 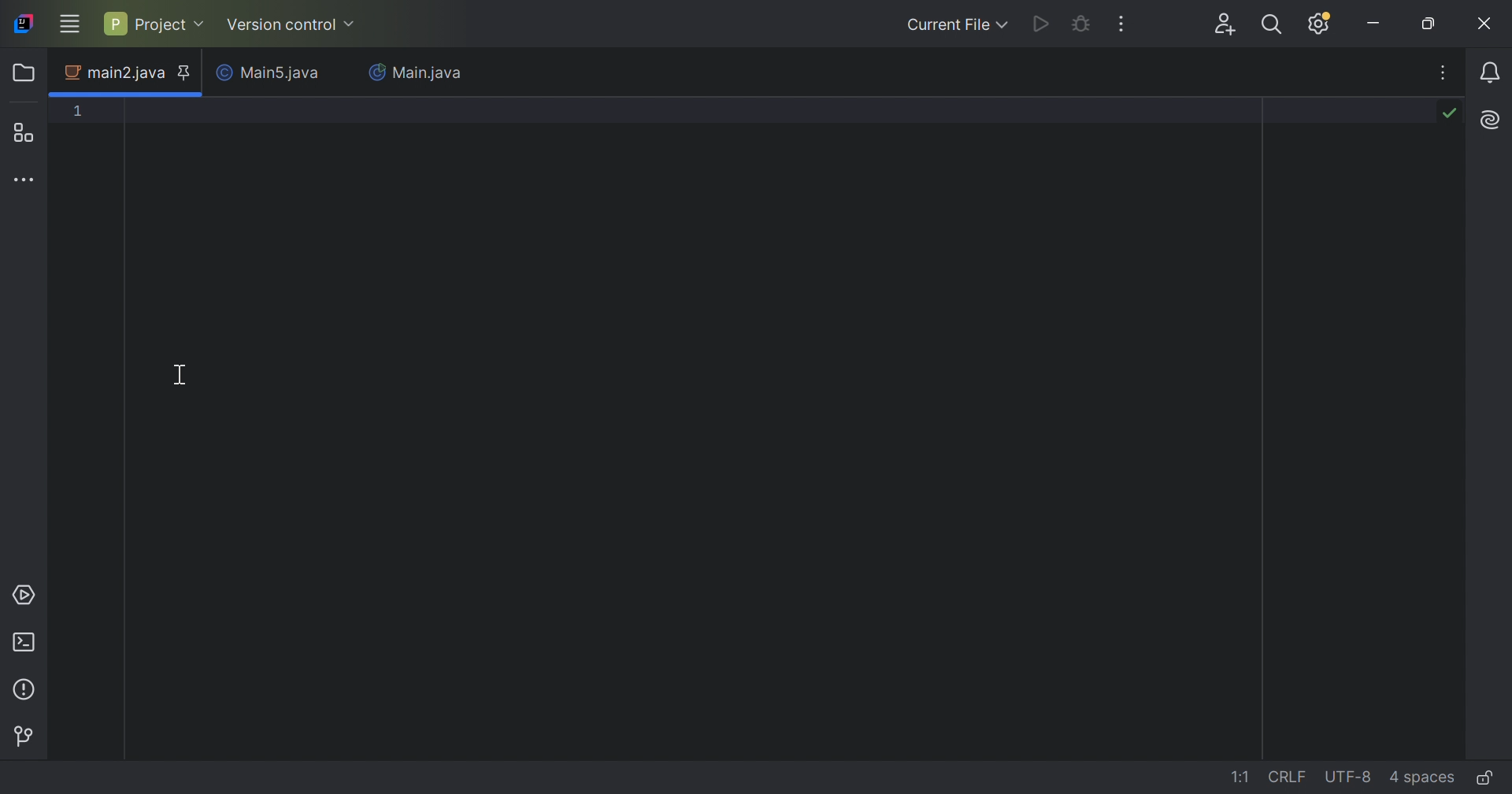 I want to click on Close, so click(x=1486, y=23).